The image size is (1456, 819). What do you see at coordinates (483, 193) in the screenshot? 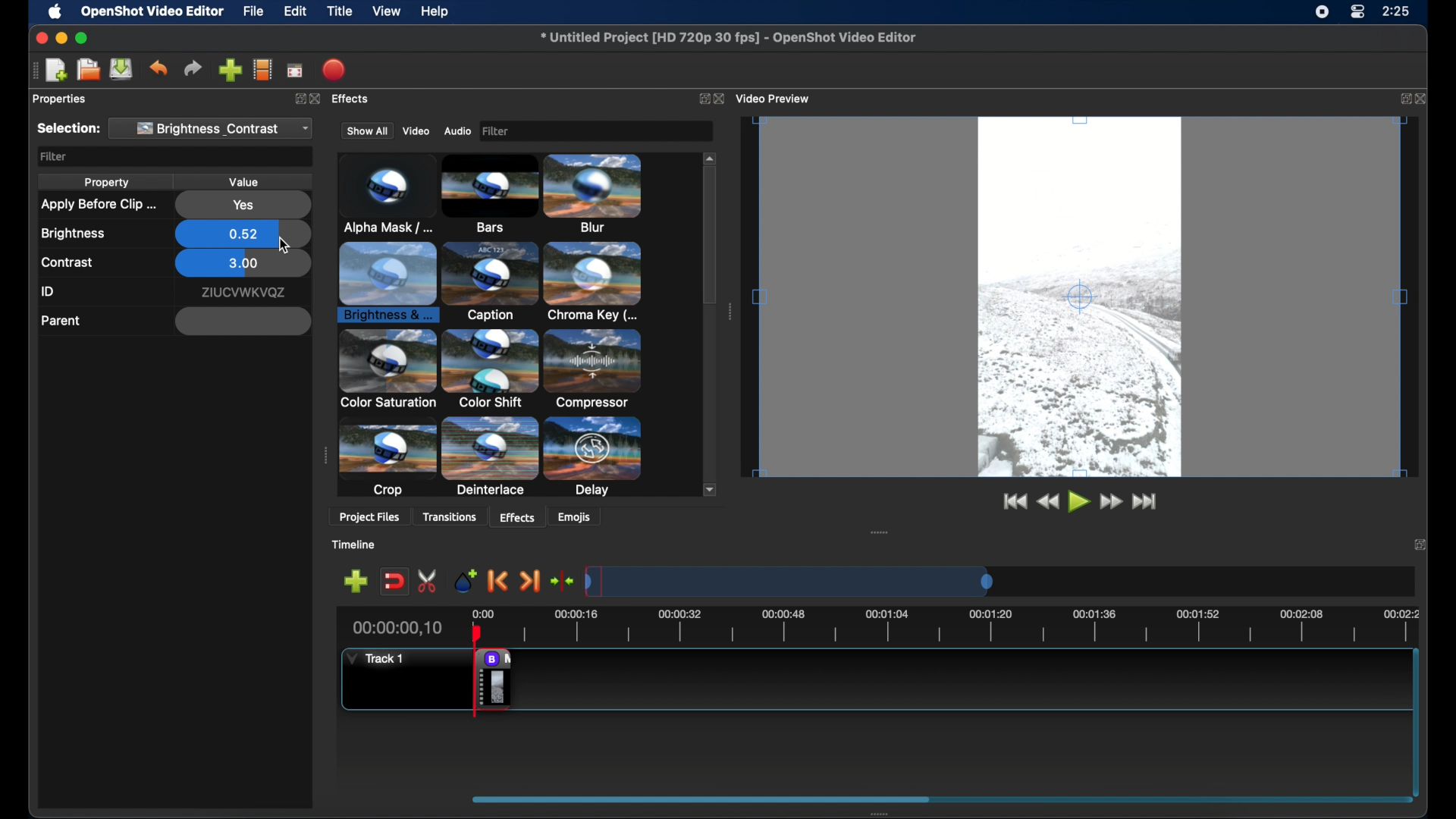
I see `blur` at bounding box center [483, 193].